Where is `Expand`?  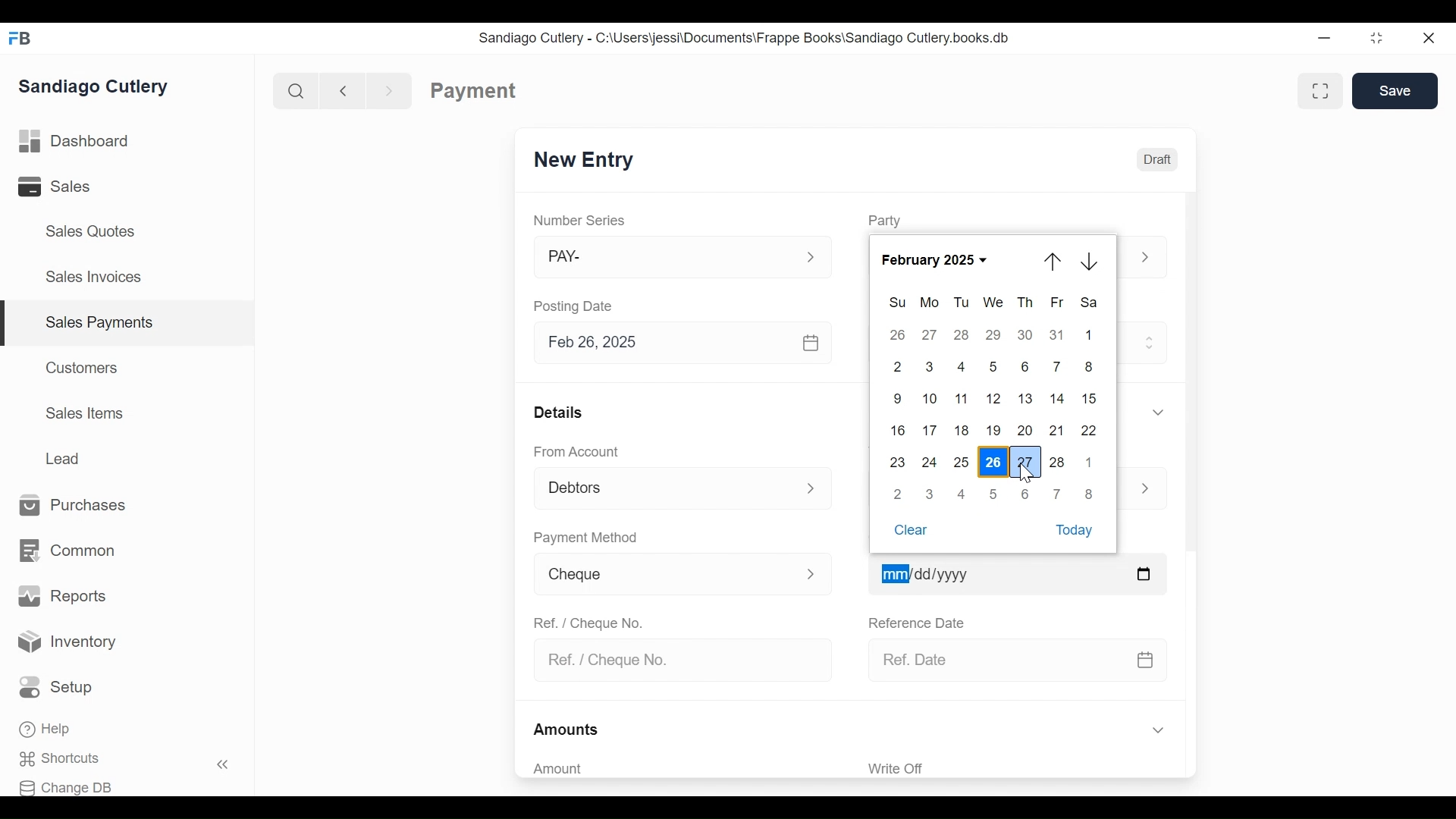 Expand is located at coordinates (811, 258).